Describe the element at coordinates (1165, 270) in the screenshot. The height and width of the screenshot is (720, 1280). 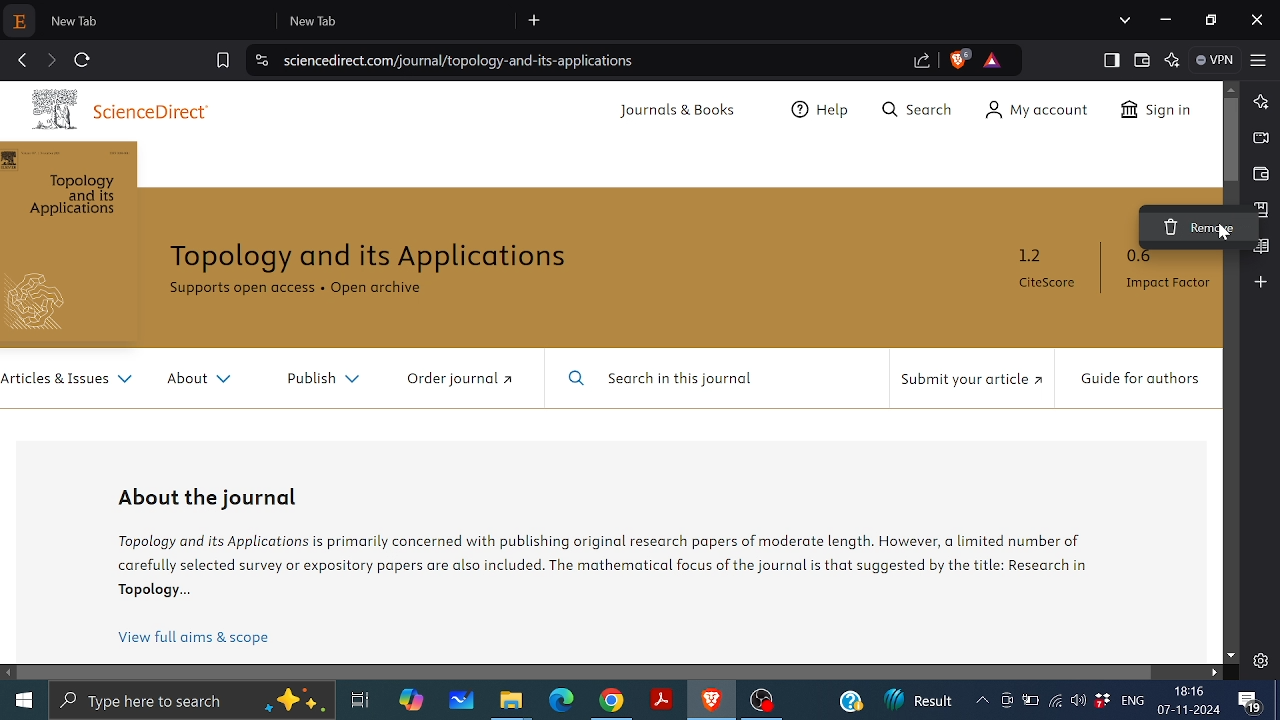
I see `0.6 Impact Factor` at that location.